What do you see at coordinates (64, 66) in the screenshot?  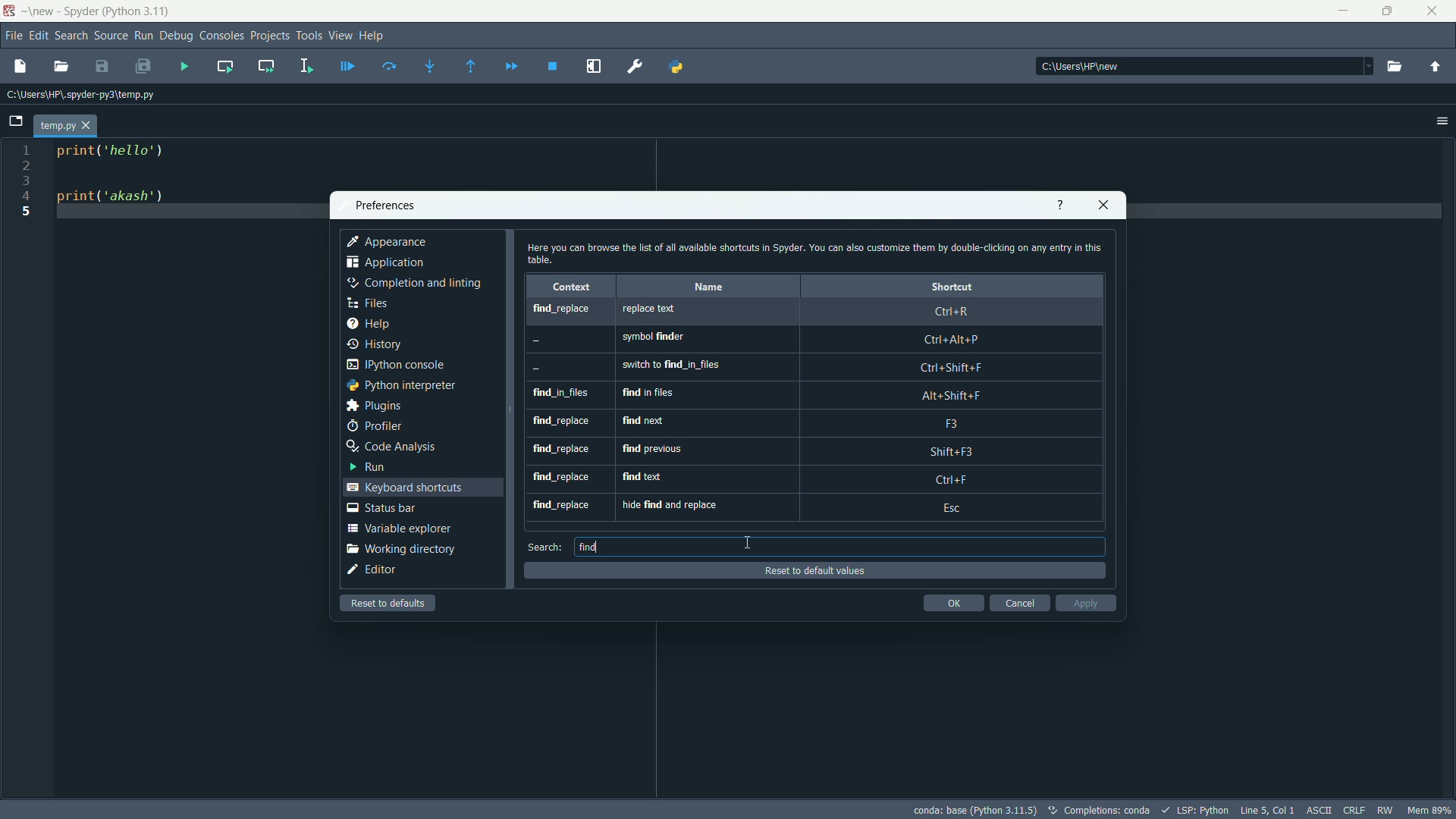 I see `open file` at bounding box center [64, 66].